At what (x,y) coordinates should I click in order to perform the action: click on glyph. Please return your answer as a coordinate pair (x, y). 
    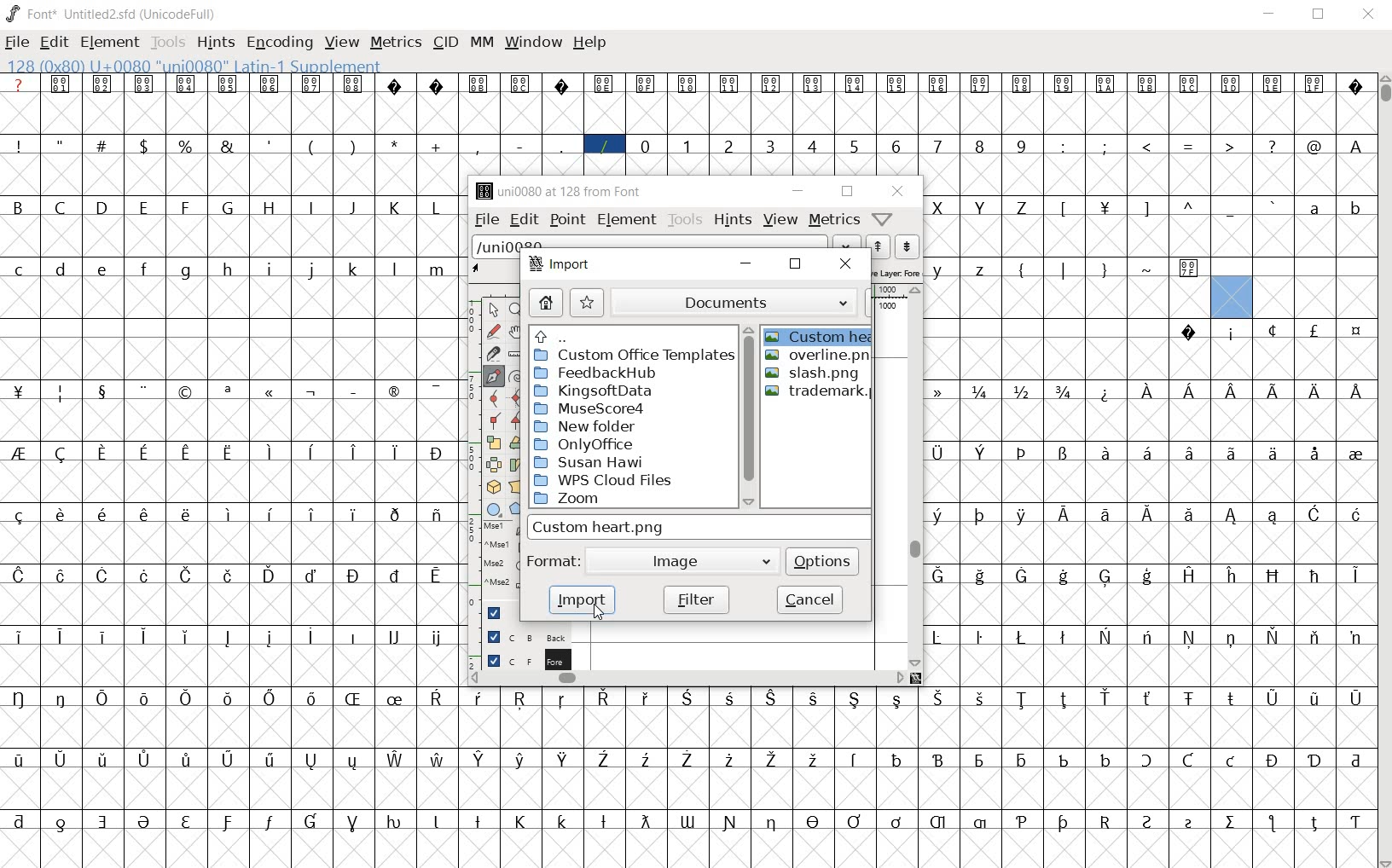
    Looking at the image, I should click on (435, 822).